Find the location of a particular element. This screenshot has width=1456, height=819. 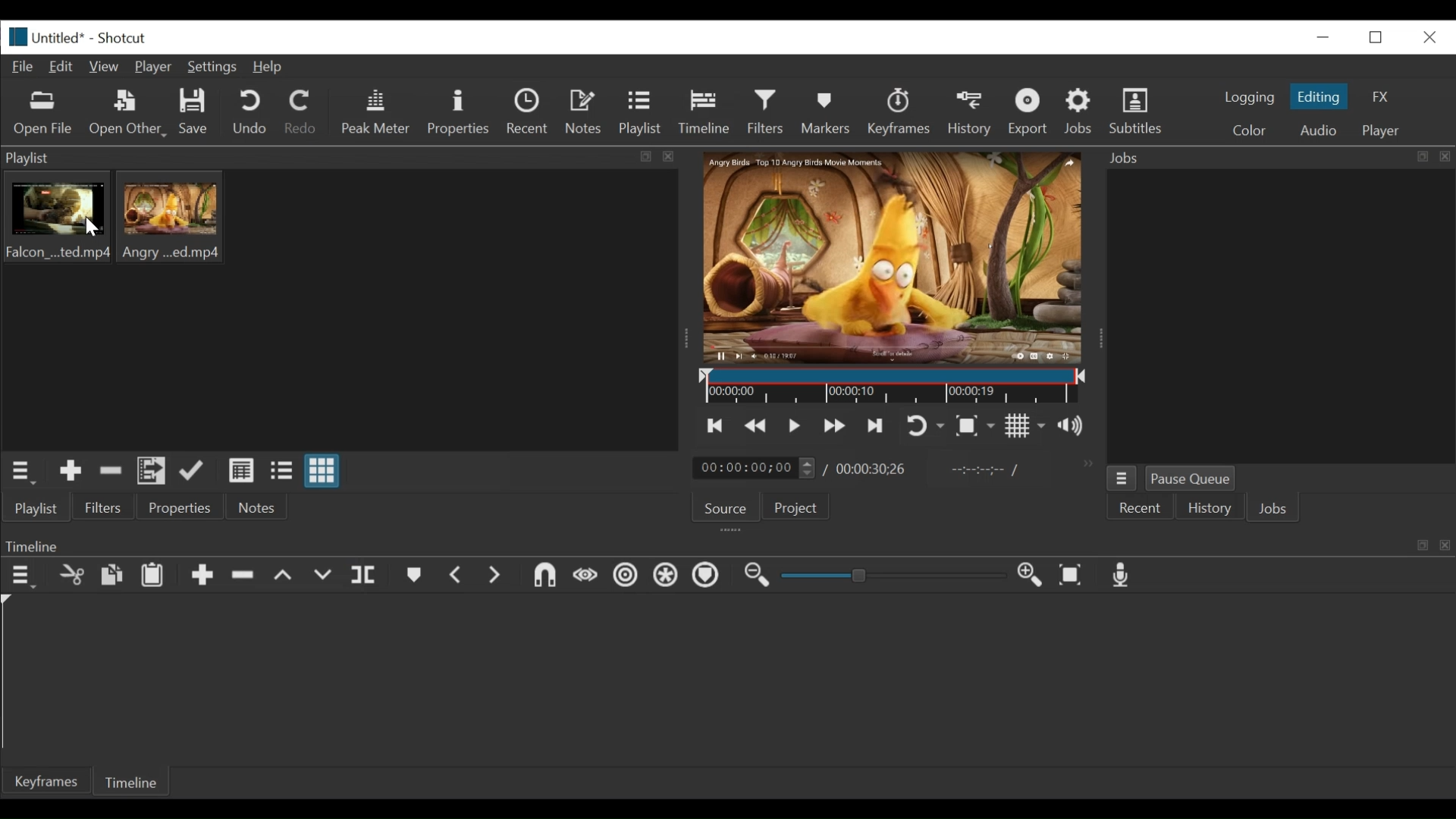

Recent is located at coordinates (531, 114).